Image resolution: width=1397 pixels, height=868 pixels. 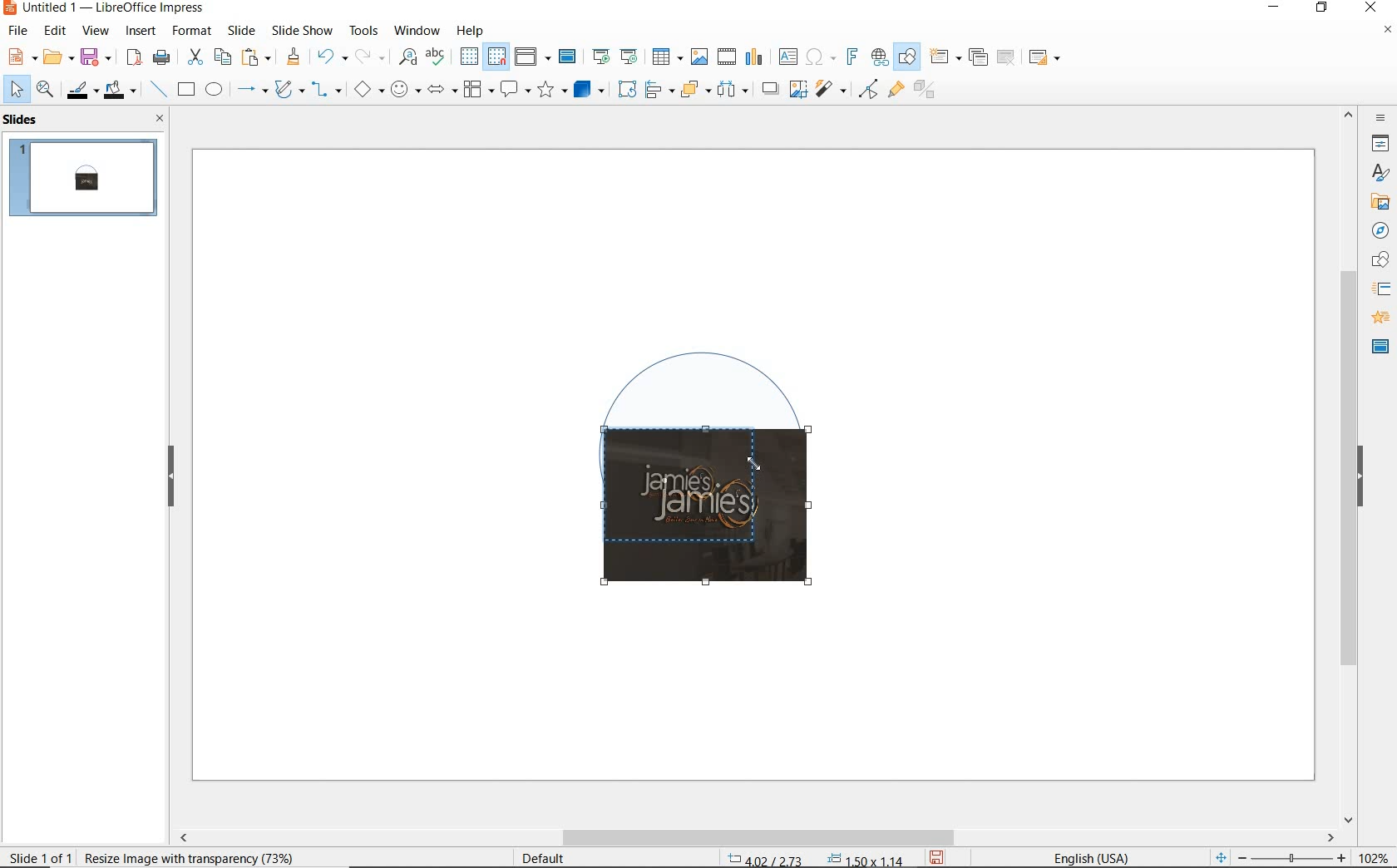 What do you see at coordinates (698, 57) in the screenshot?
I see `insert image` at bounding box center [698, 57].